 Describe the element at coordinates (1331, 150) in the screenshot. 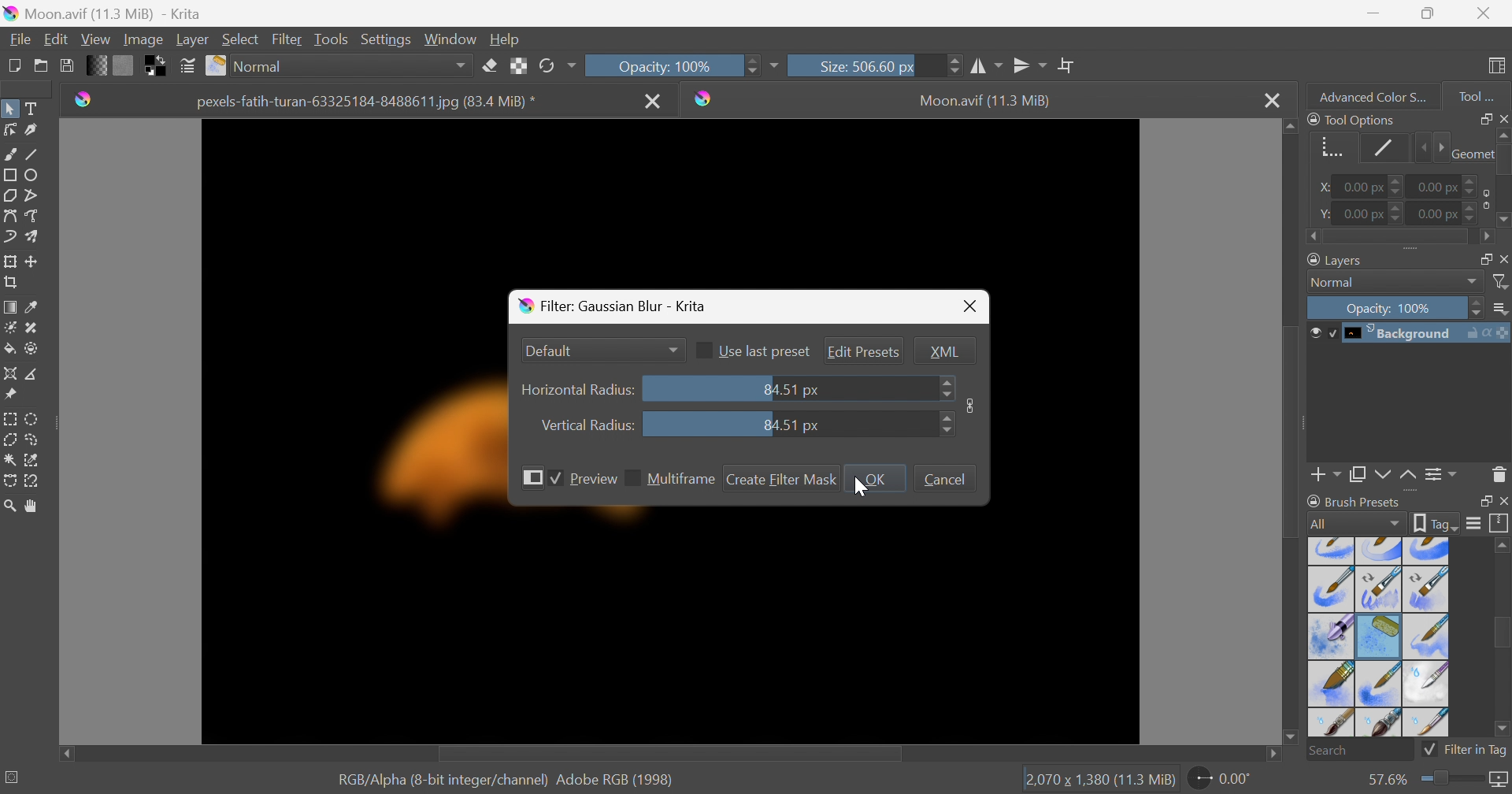

I see `Geometry` at that location.